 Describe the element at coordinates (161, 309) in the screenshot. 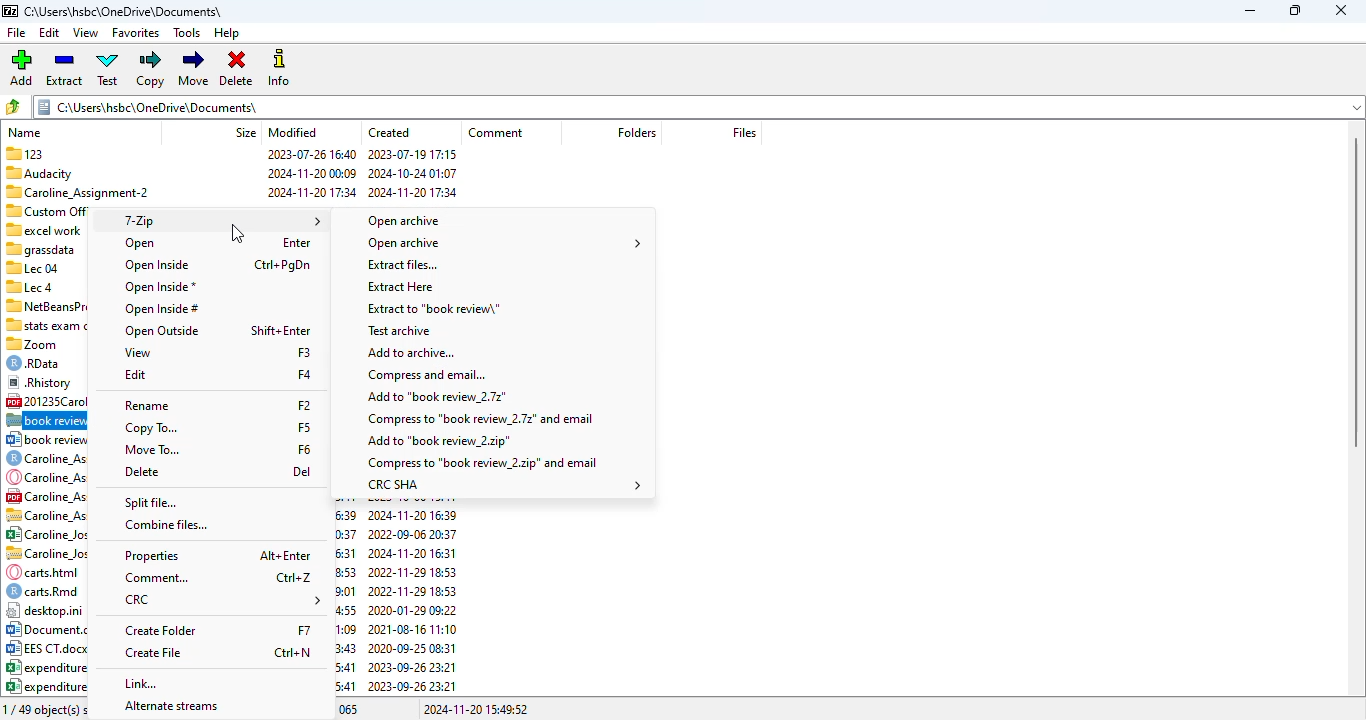

I see `open inside#` at that location.